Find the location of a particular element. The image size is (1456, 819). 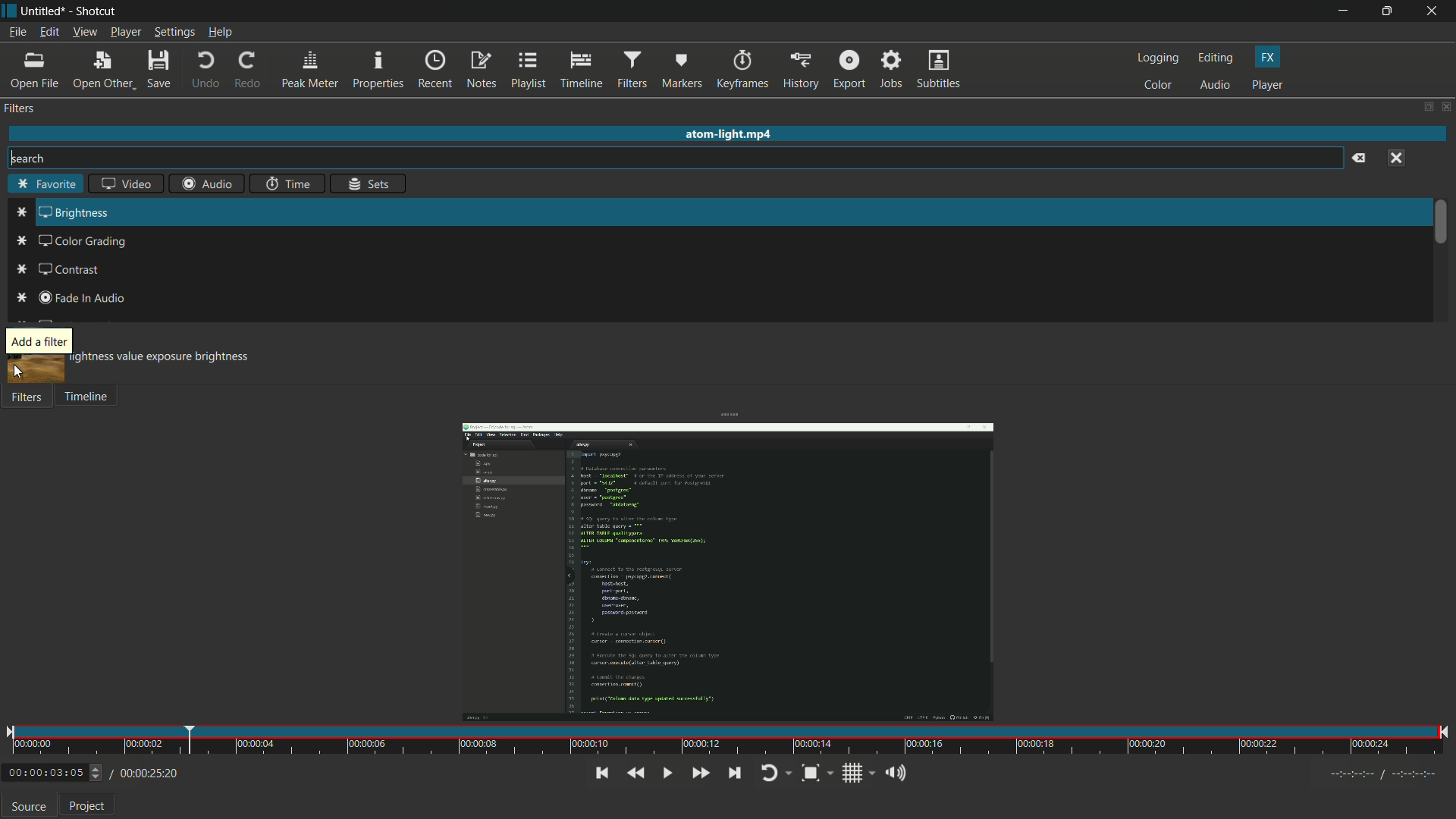

add a filter pop up is located at coordinates (39, 341).